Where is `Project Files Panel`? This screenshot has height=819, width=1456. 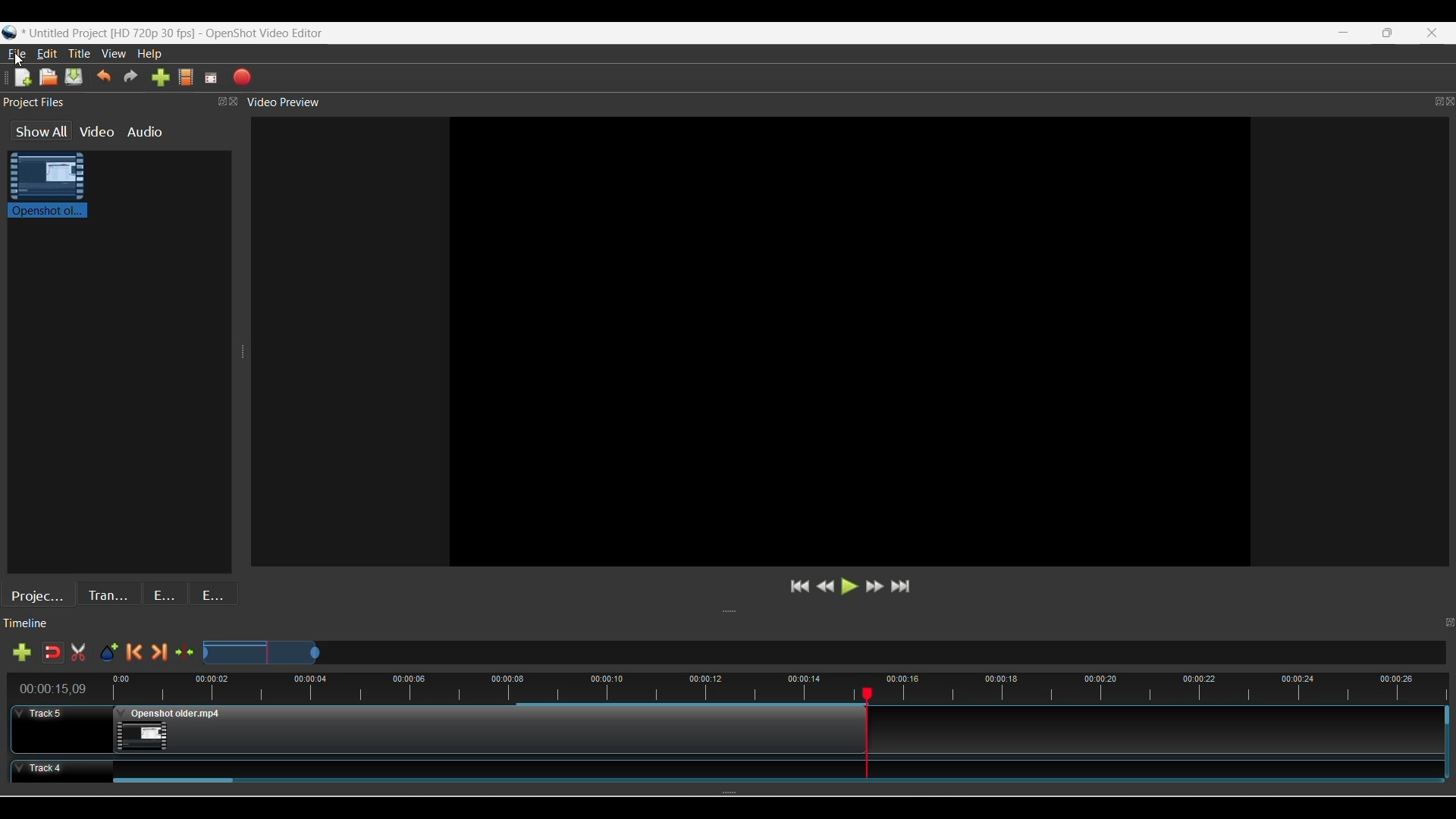 Project Files Panel is located at coordinates (121, 102).